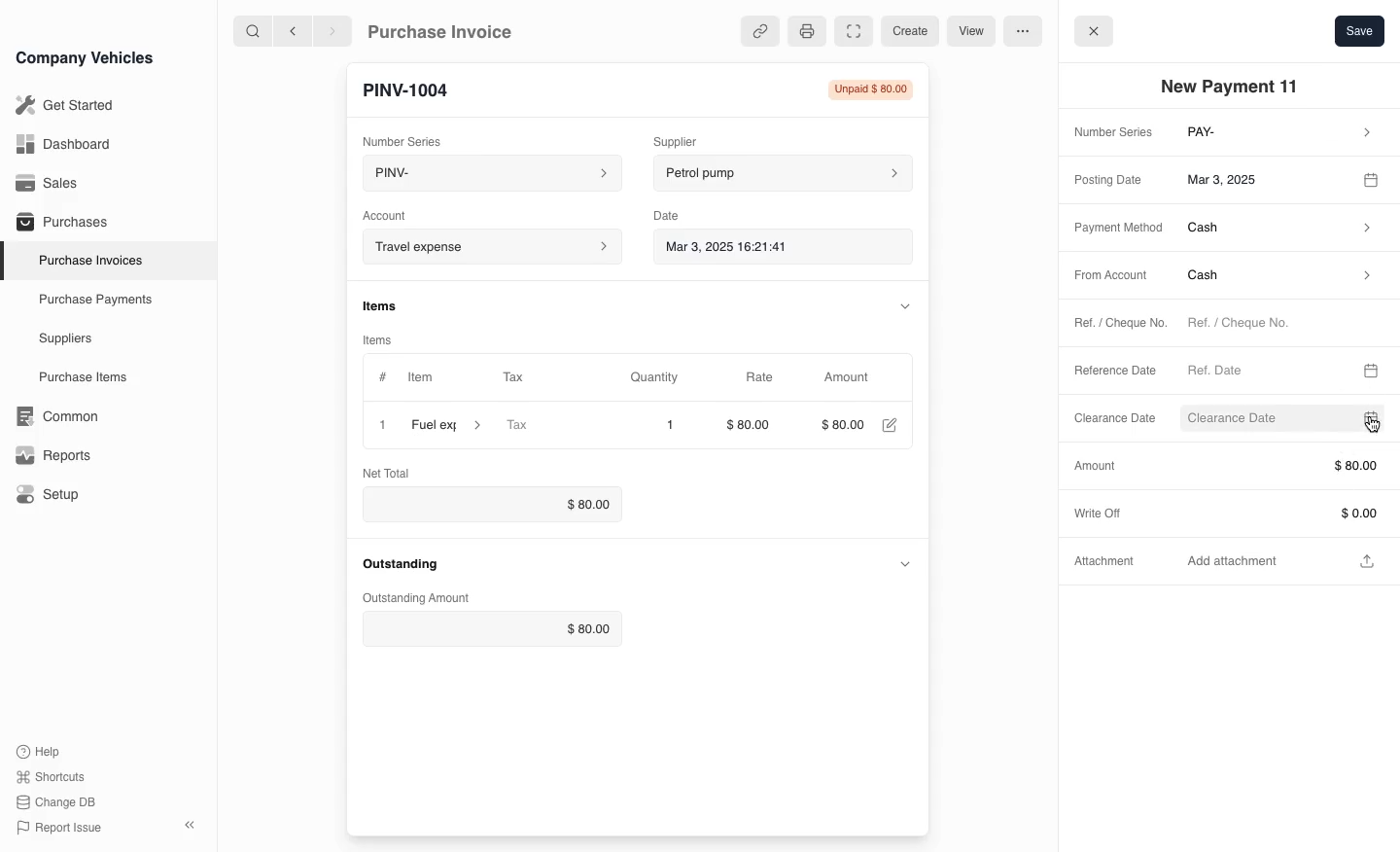 Image resolution: width=1400 pixels, height=852 pixels. Describe the element at coordinates (52, 495) in the screenshot. I see `Setup` at that location.